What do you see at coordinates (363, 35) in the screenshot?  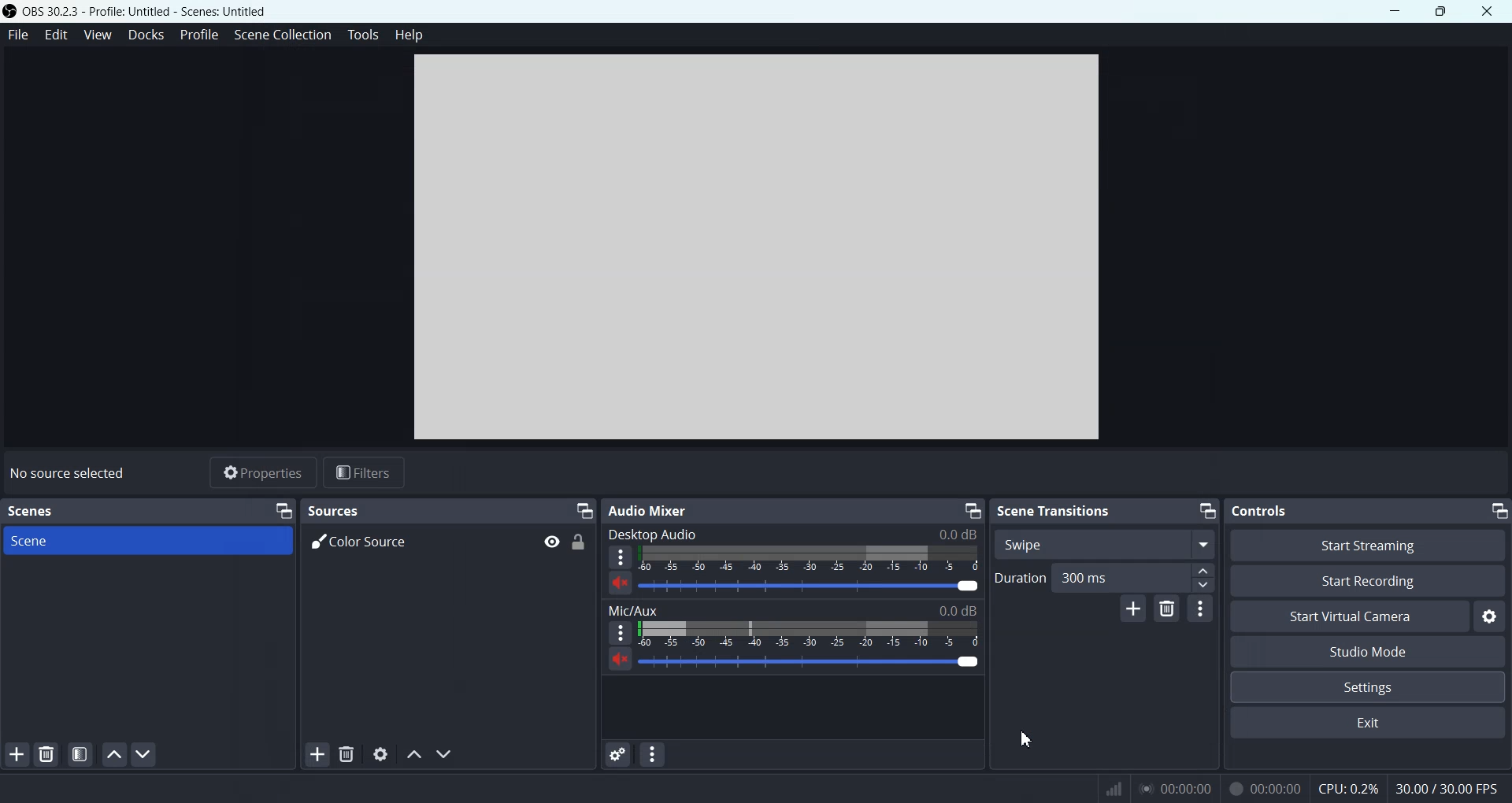 I see `Tools` at bounding box center [363, 35].